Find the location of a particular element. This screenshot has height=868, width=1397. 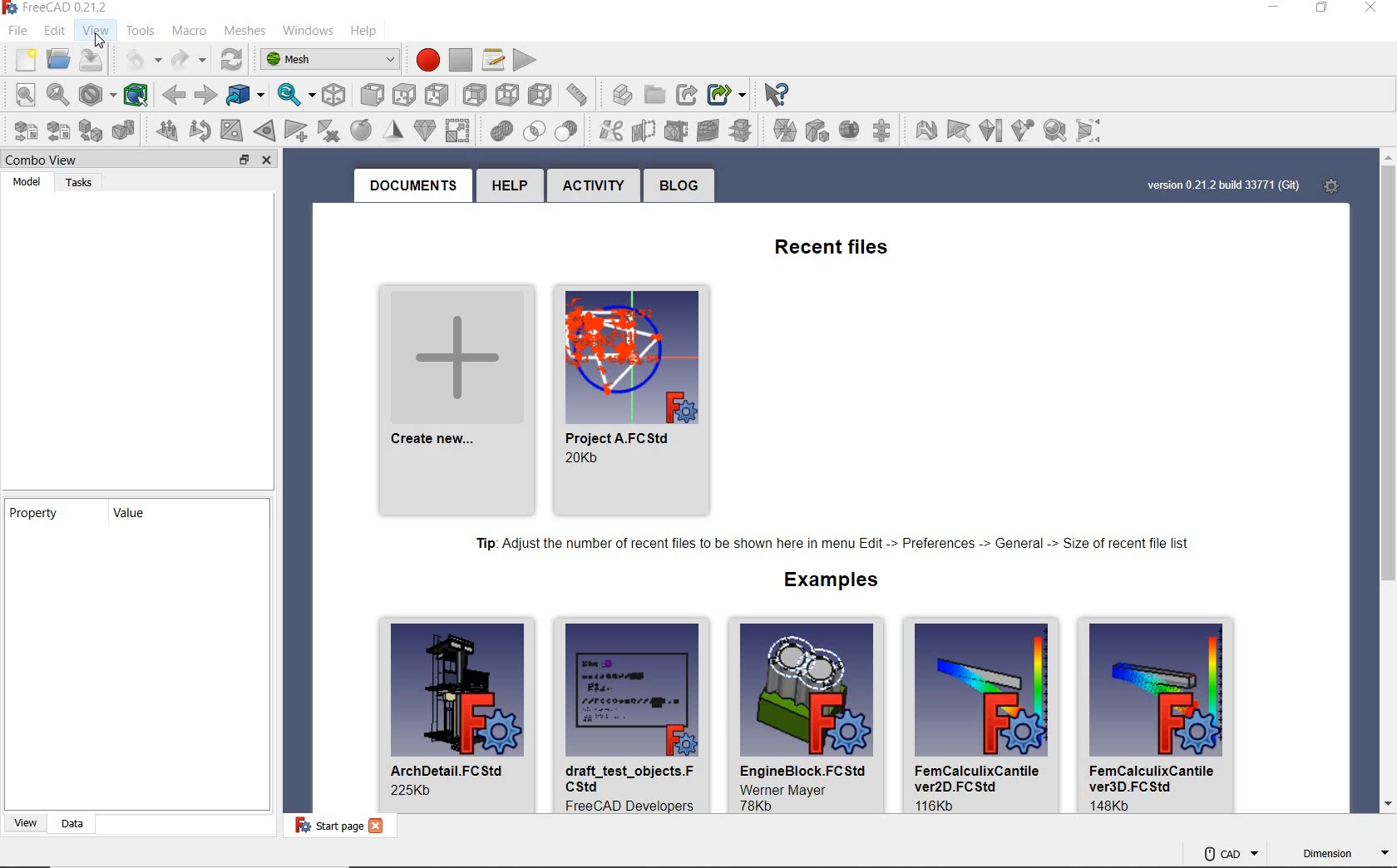

decimation is located at coordinates (395, 127).